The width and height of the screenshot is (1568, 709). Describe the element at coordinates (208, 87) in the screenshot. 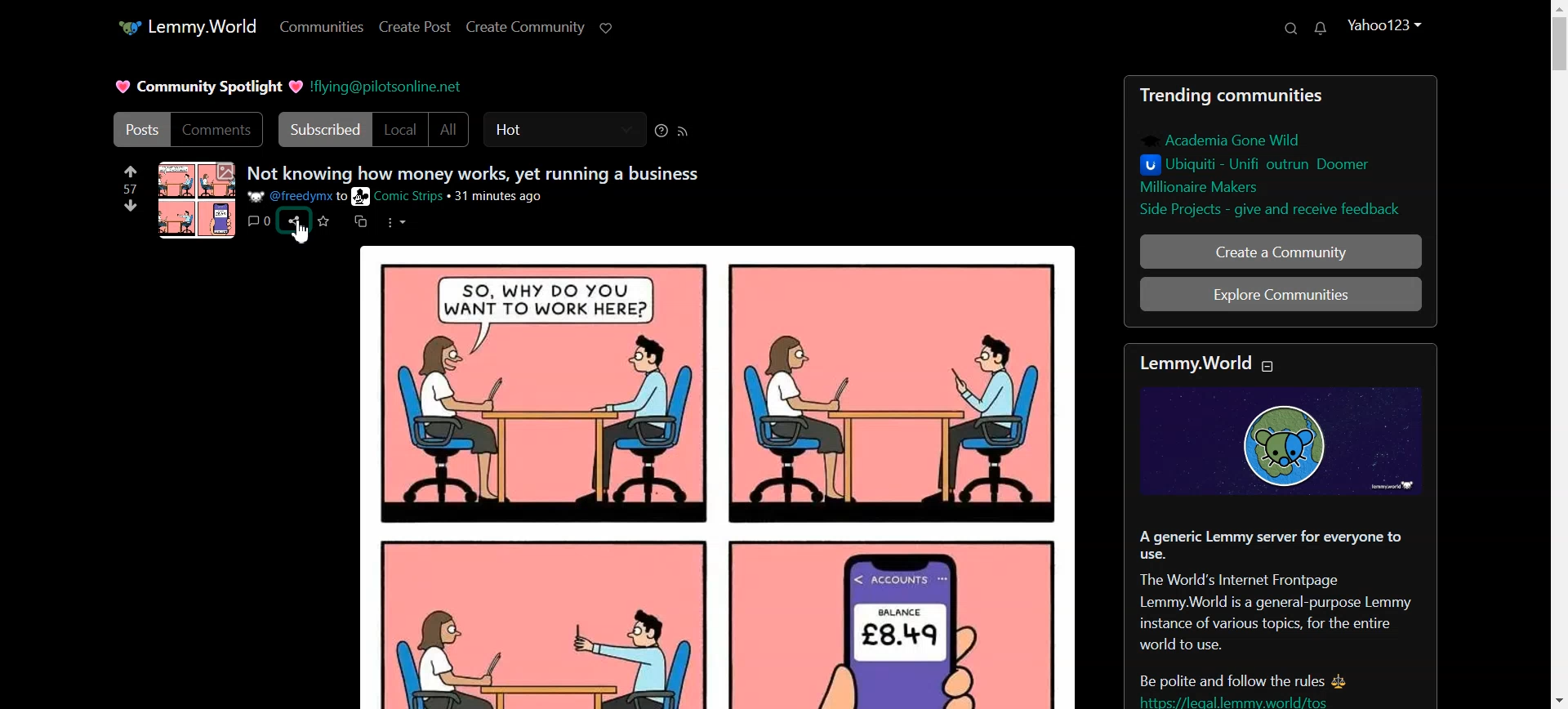

I see `Text` at that location.